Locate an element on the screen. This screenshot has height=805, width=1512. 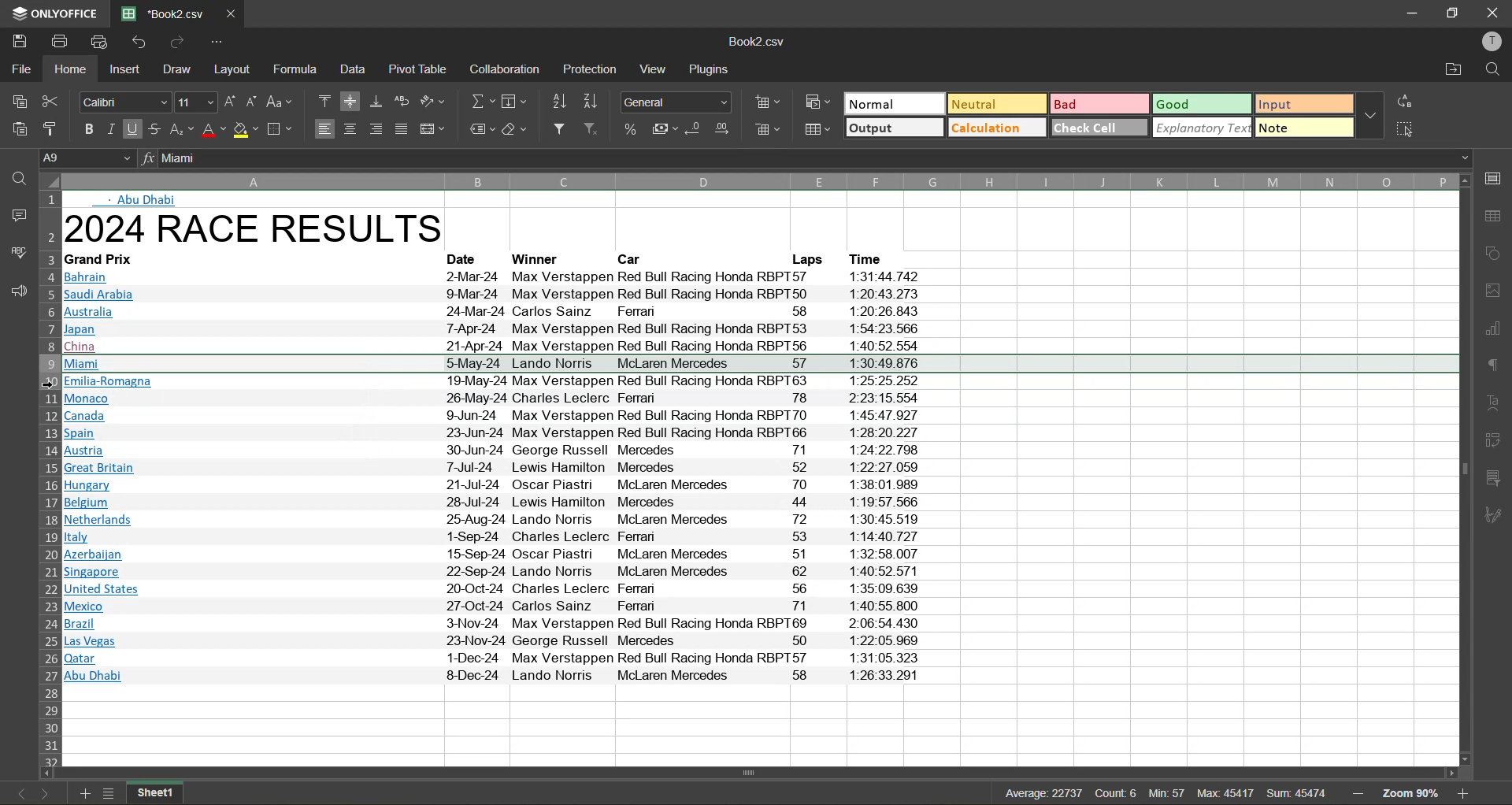
‘Winner is located at coordinates (535, 258).